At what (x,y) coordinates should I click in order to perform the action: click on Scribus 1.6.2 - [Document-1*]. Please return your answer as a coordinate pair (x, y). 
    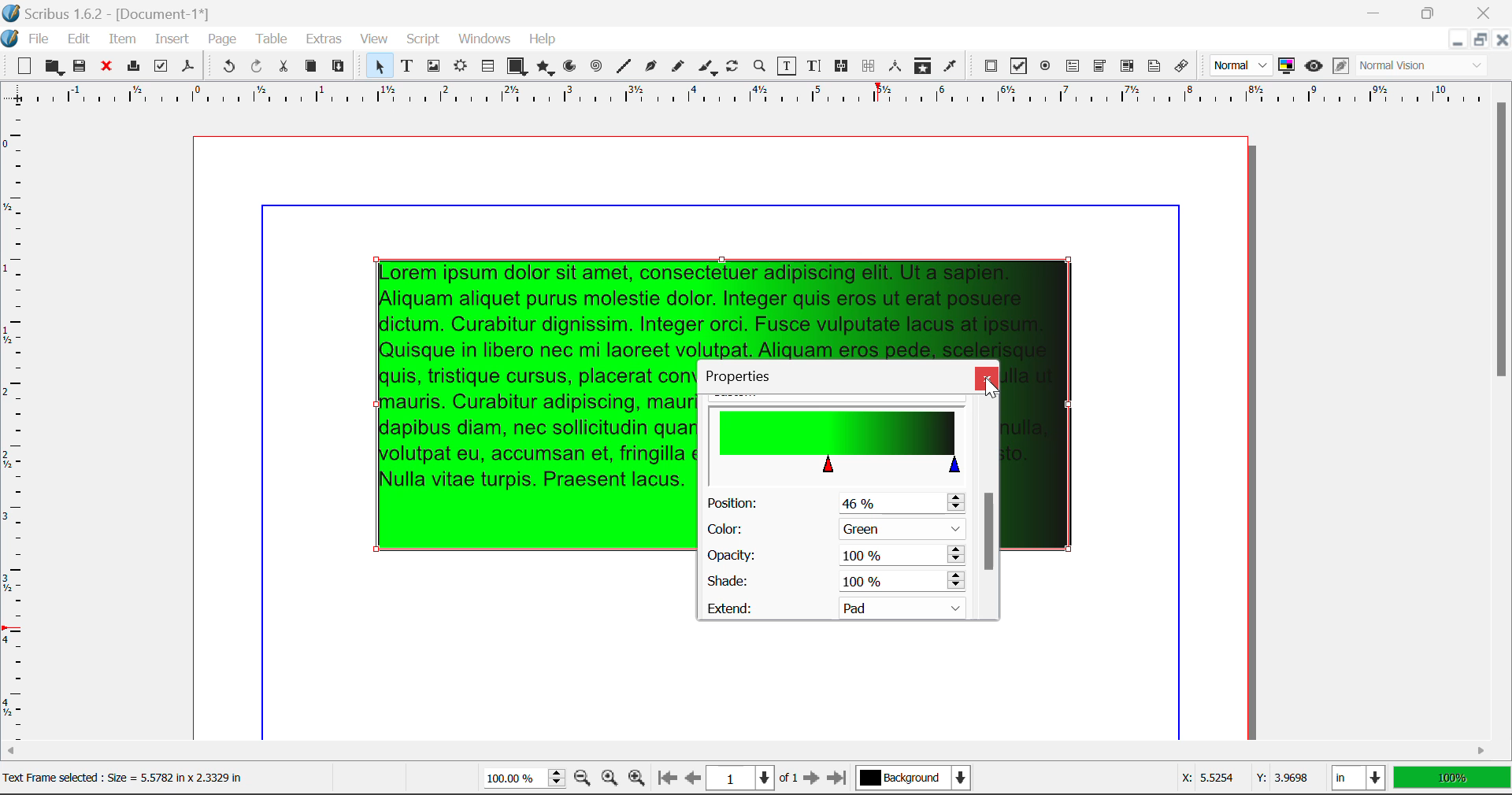
    Looking at the image, I should click on (113, 13).